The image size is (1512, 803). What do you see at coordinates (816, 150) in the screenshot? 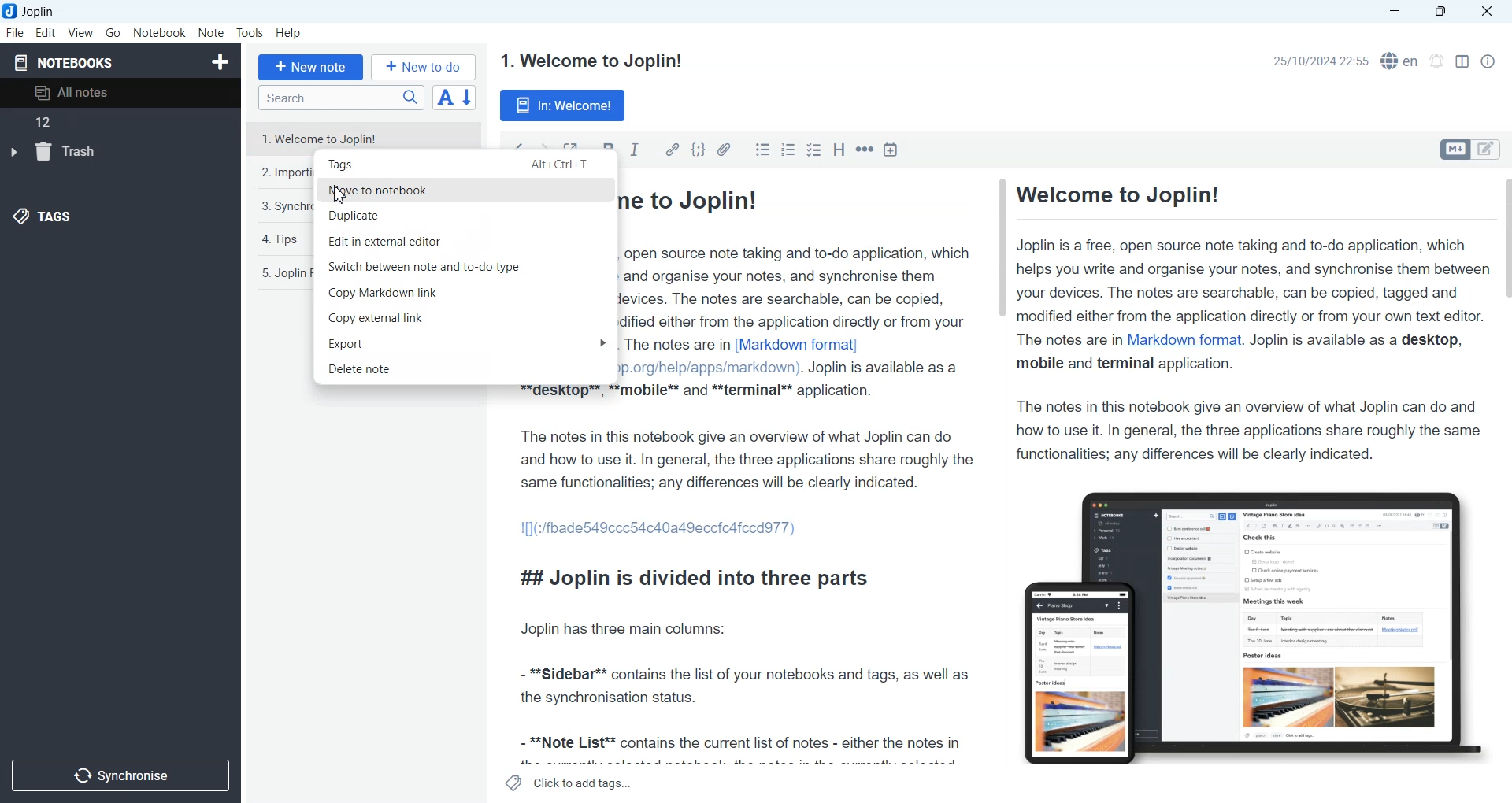
I see `Checkbox` at bounding box center [816, 150].